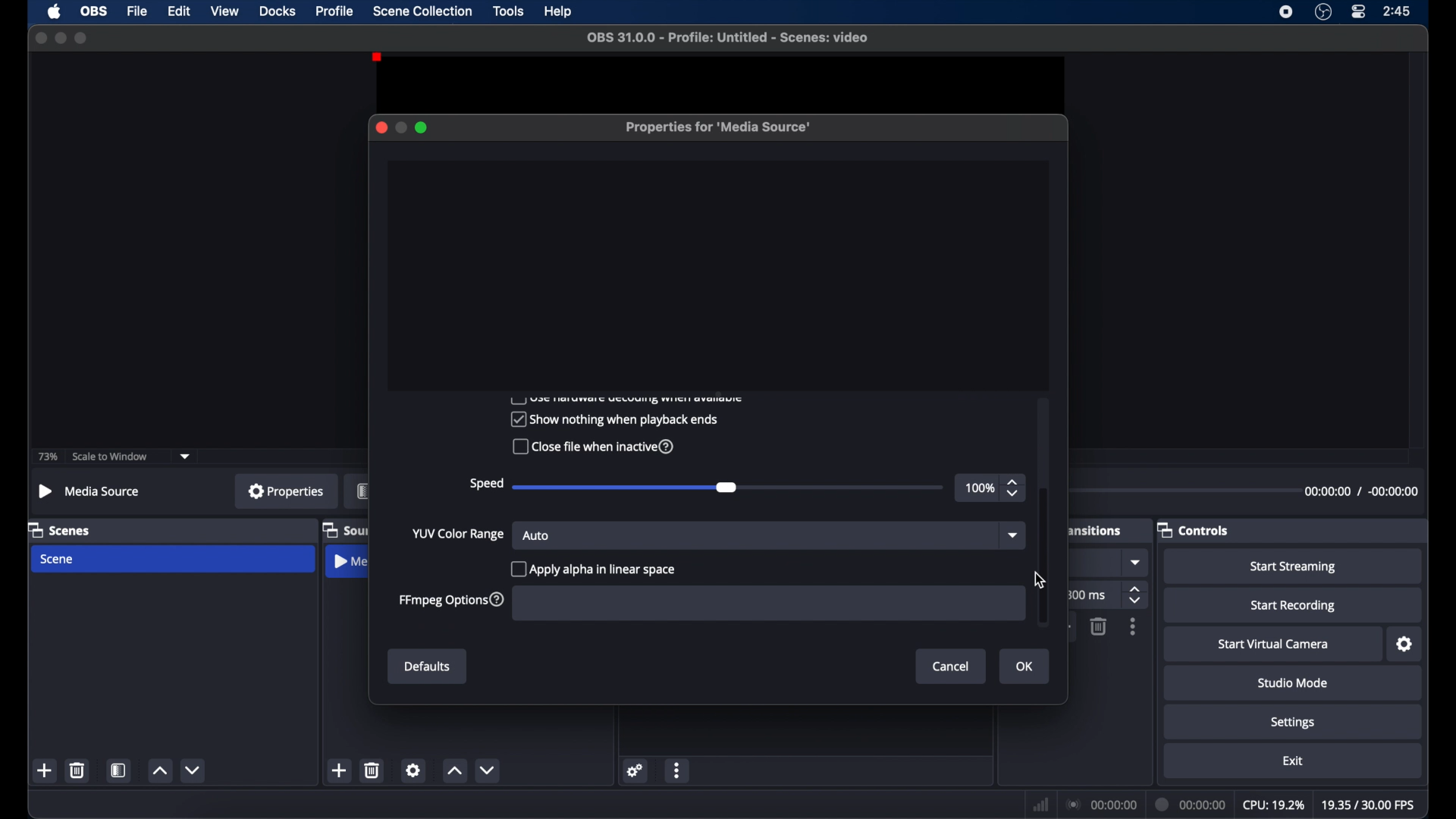 Image resolution: width=1456 pixels, height=819 pixels. What do you see at coordinates (60, 37) in the screenshot?
I see `minimize` at bounding box center [60, 37].